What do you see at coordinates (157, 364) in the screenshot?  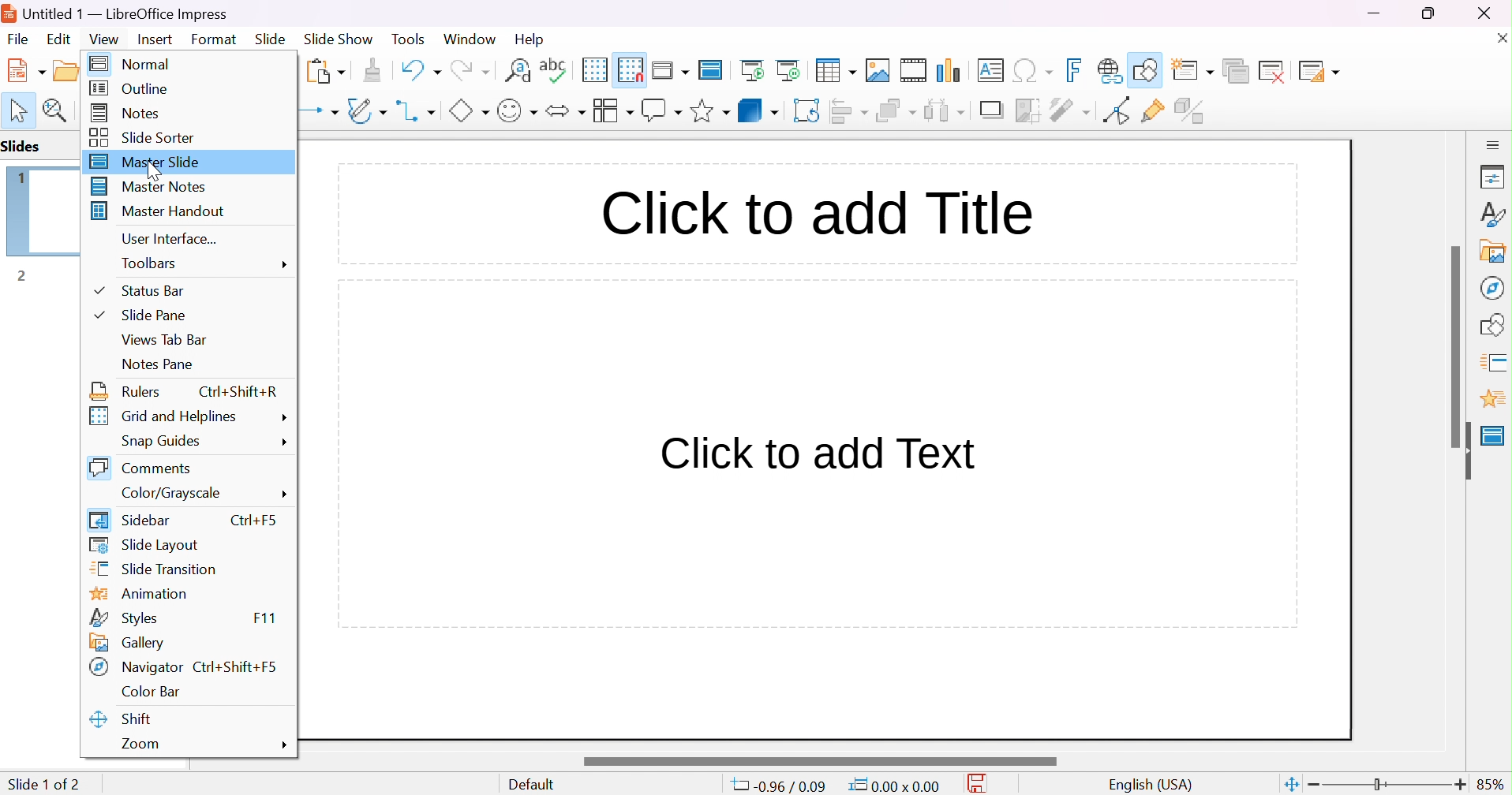 I see `notes pane` at bounding box center [157, 364].